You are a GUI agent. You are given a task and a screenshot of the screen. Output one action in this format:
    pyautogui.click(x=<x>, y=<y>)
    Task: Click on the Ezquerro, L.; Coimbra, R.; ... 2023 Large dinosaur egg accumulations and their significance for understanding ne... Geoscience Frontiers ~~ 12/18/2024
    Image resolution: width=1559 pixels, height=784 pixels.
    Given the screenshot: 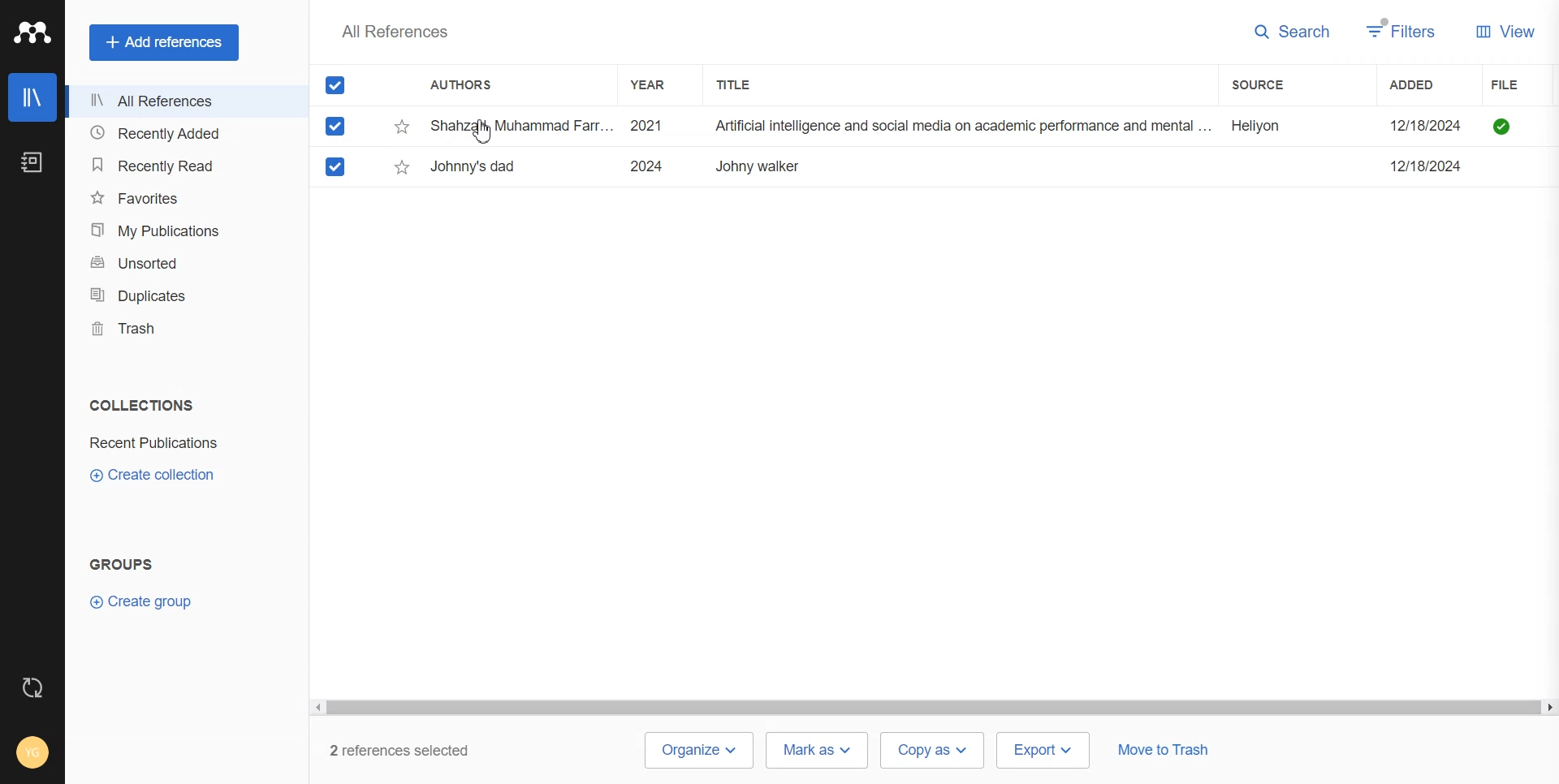 What is the action you would take?
    pyautogui.click(x=952, y=166)
    